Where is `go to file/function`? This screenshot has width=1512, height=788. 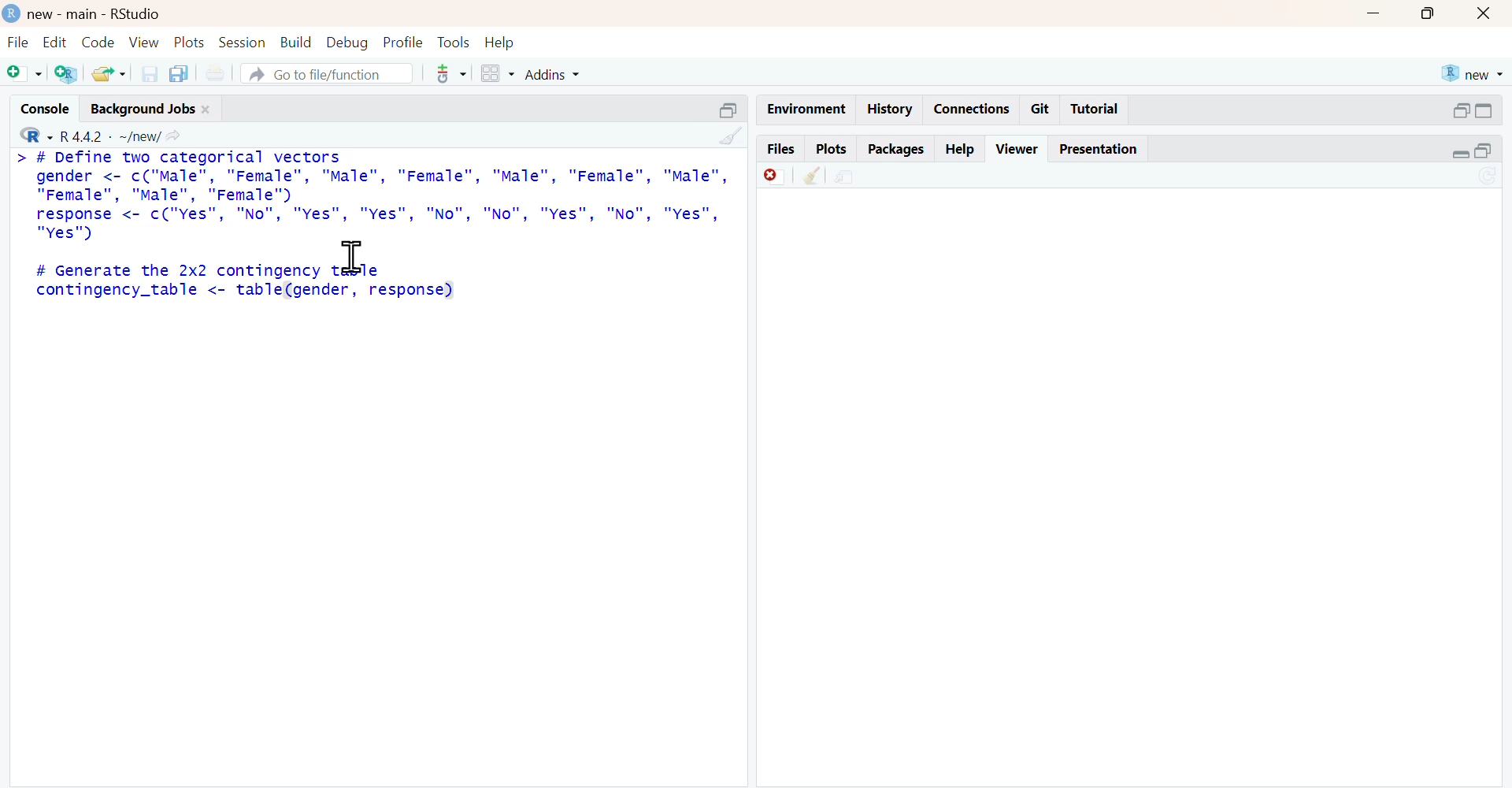 go to file/function is located at coordinates (328, 72).